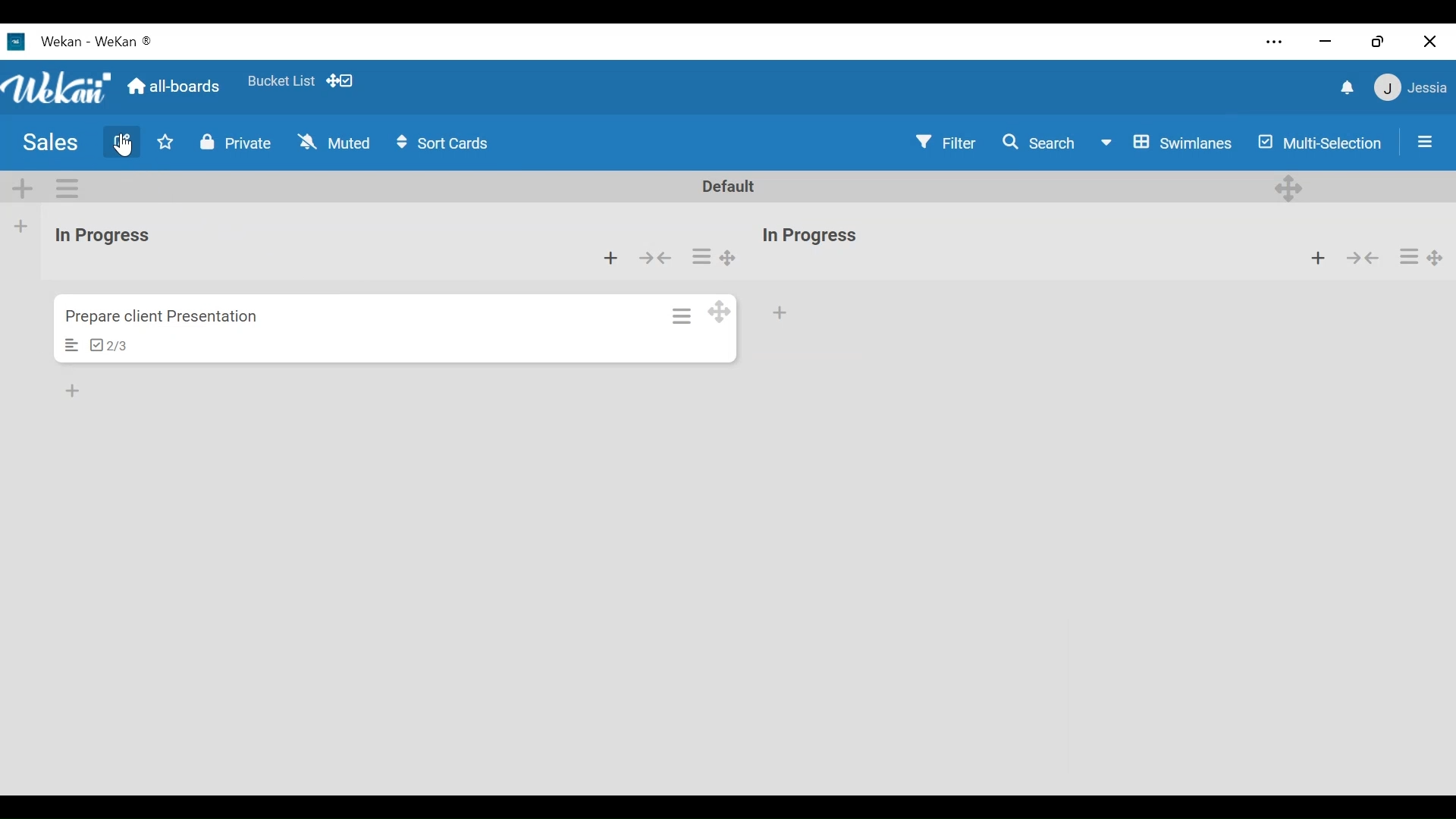 The height and width of the screenshot is (819, 1456). What do you see at coordinates (727, 257) in the screenshot?
I see `Desktop drag handles` at bounding box center [727, 257].